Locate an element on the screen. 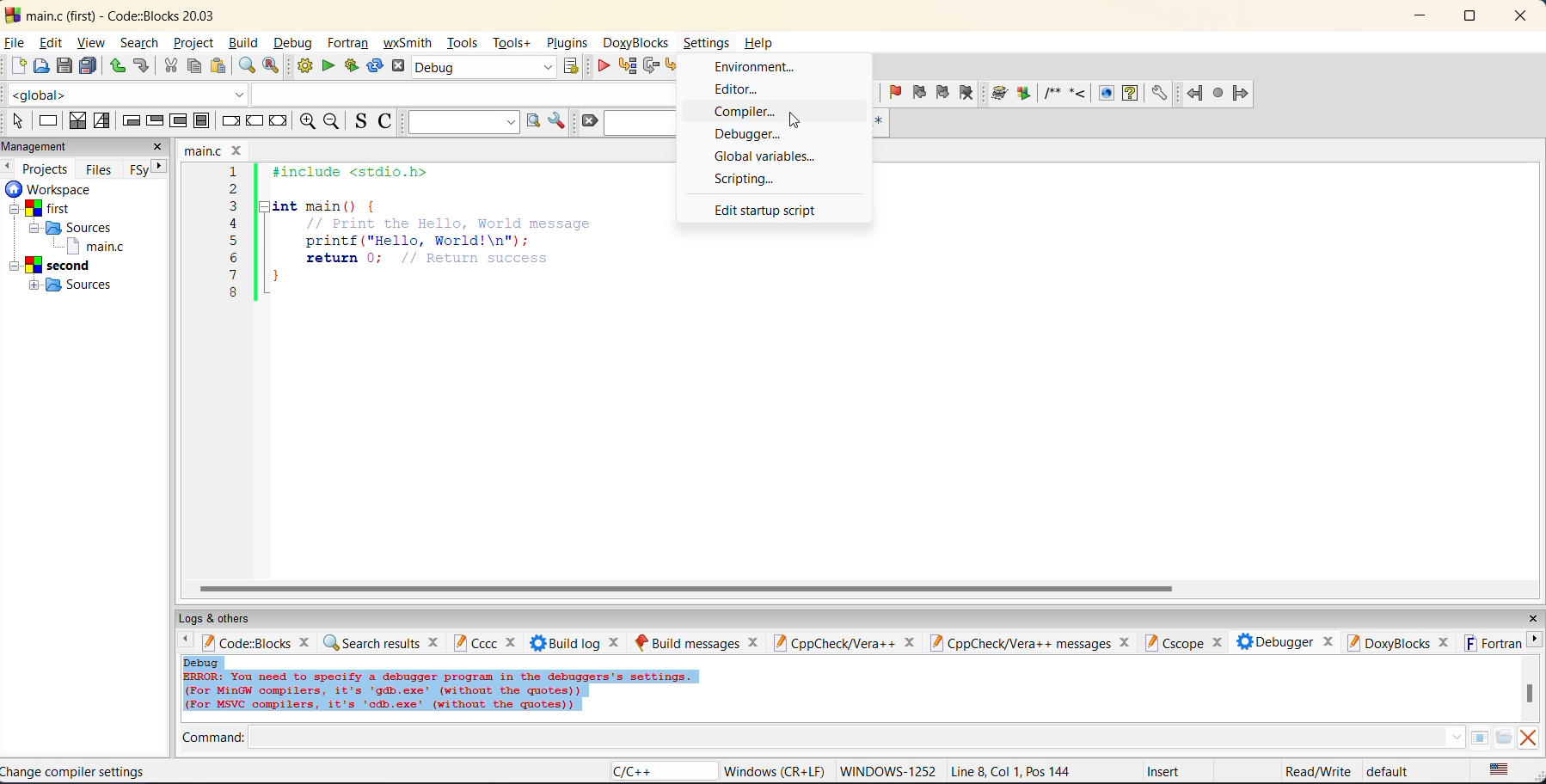 Image resolution: width=1546 pixels, height=784 pixels. return is located at coordinates (281, 120).